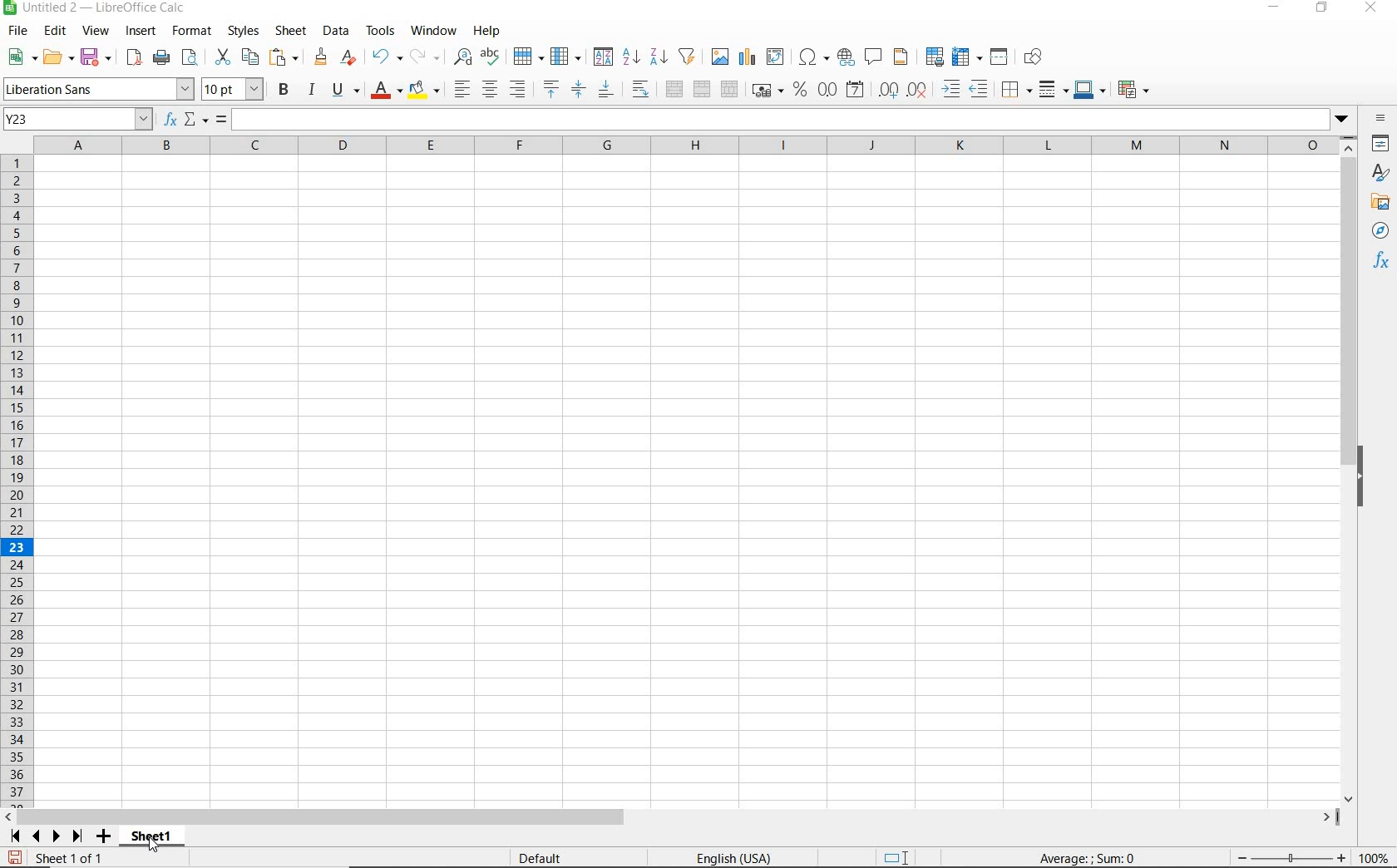 The width and height of the screenshot is (1397, 868). Describe the element at coordinates (567, 858) in the screenshot. I see `DEFAULT` at that location.